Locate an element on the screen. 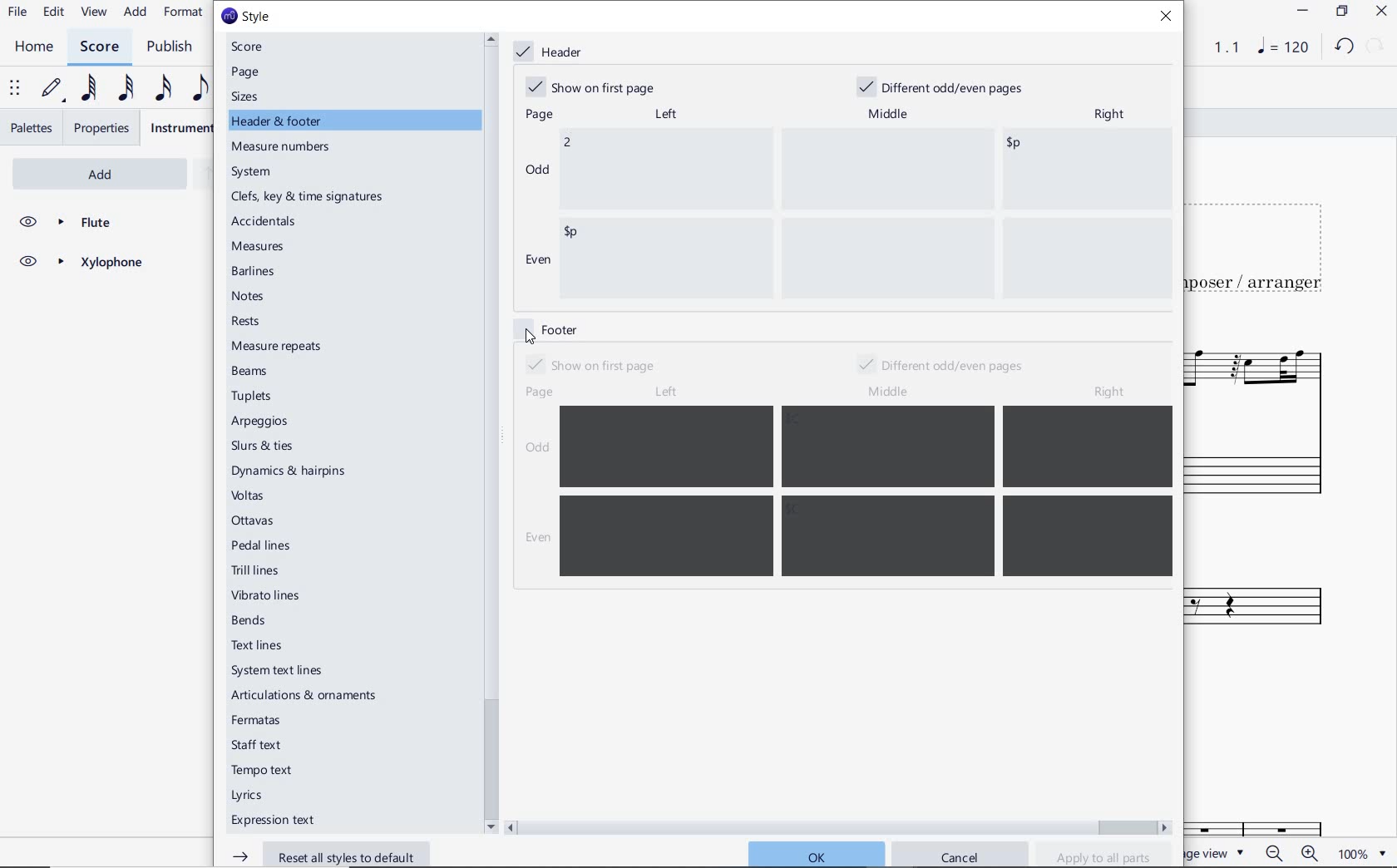 Image resolution: width=1397 pixels, height=868 pixels. style is located at coordinates (245, 17).